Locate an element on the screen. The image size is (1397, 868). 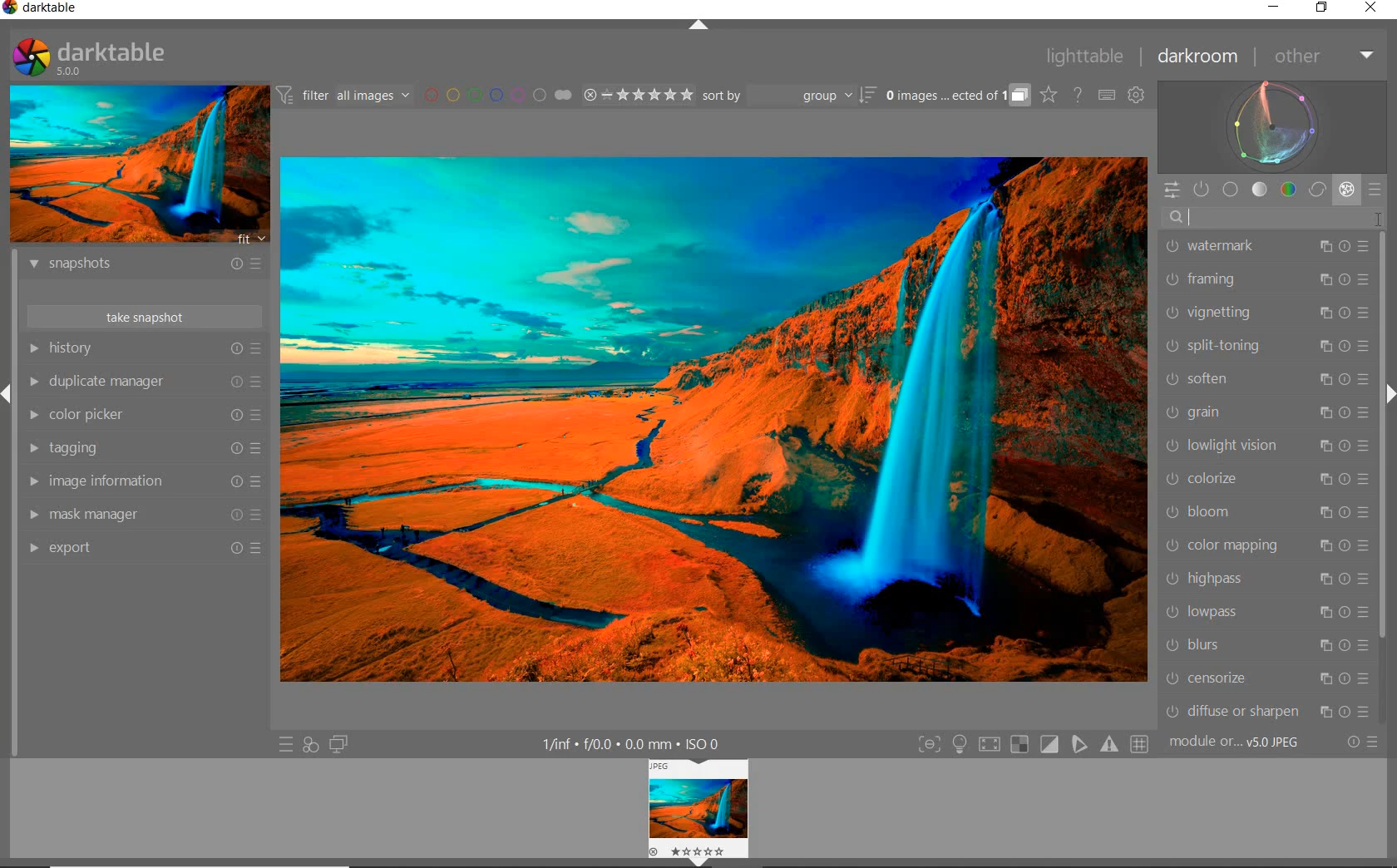
IMAGE PREVIEW is located at coordinates (137, 165).